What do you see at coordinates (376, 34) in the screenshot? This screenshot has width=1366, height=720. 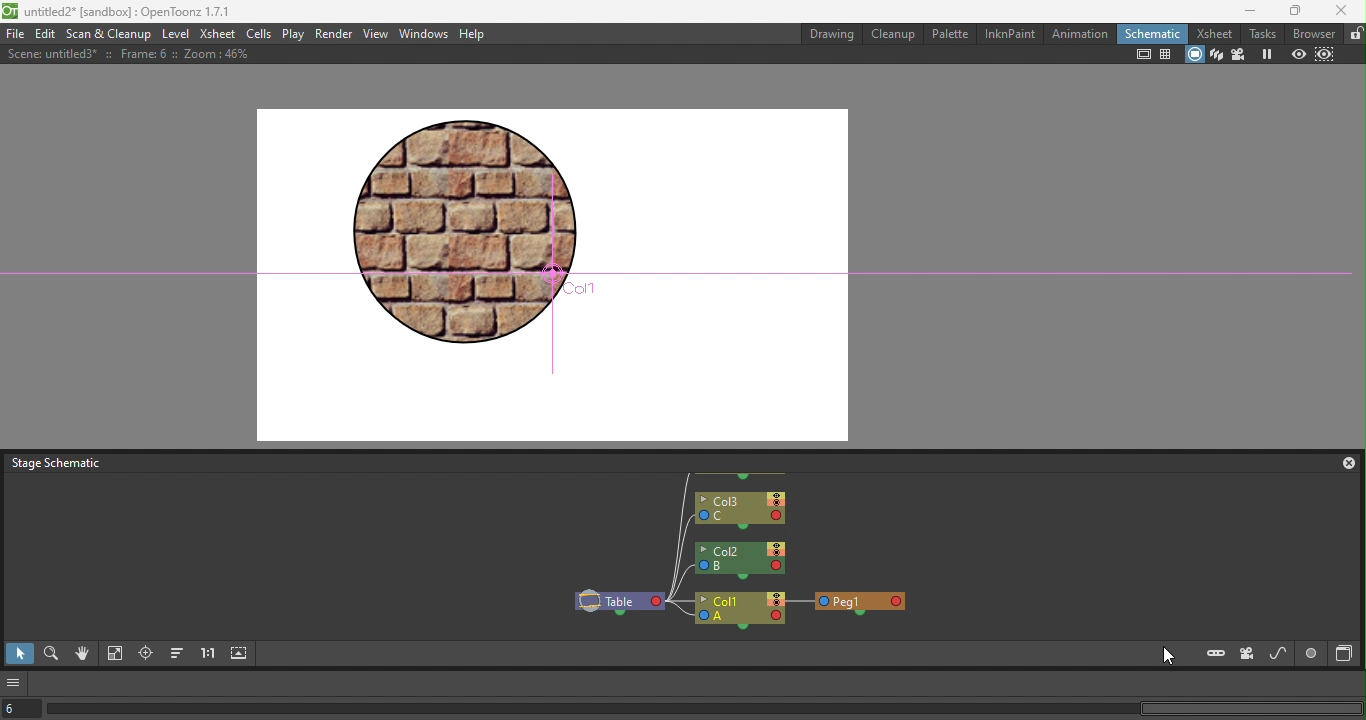 I see `View` at bounding box center [376, 34].